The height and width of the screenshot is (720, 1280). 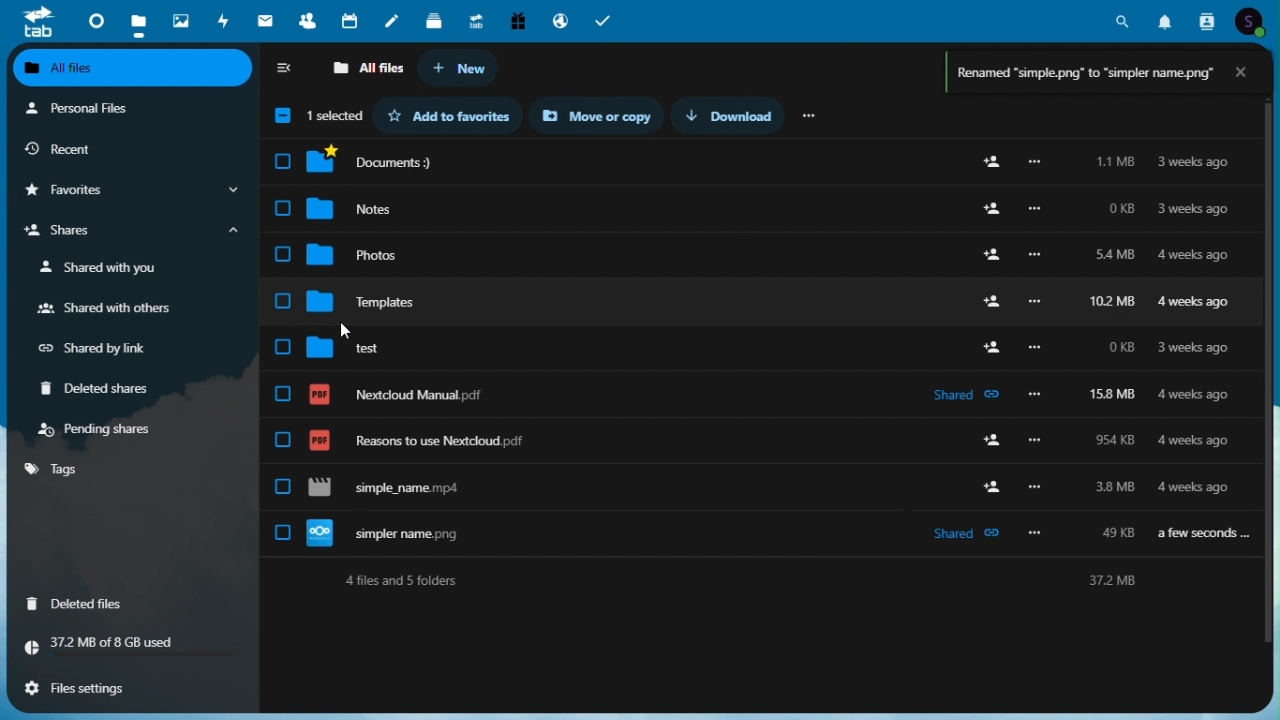 I want to click on all files, so click(x=367, y=69).